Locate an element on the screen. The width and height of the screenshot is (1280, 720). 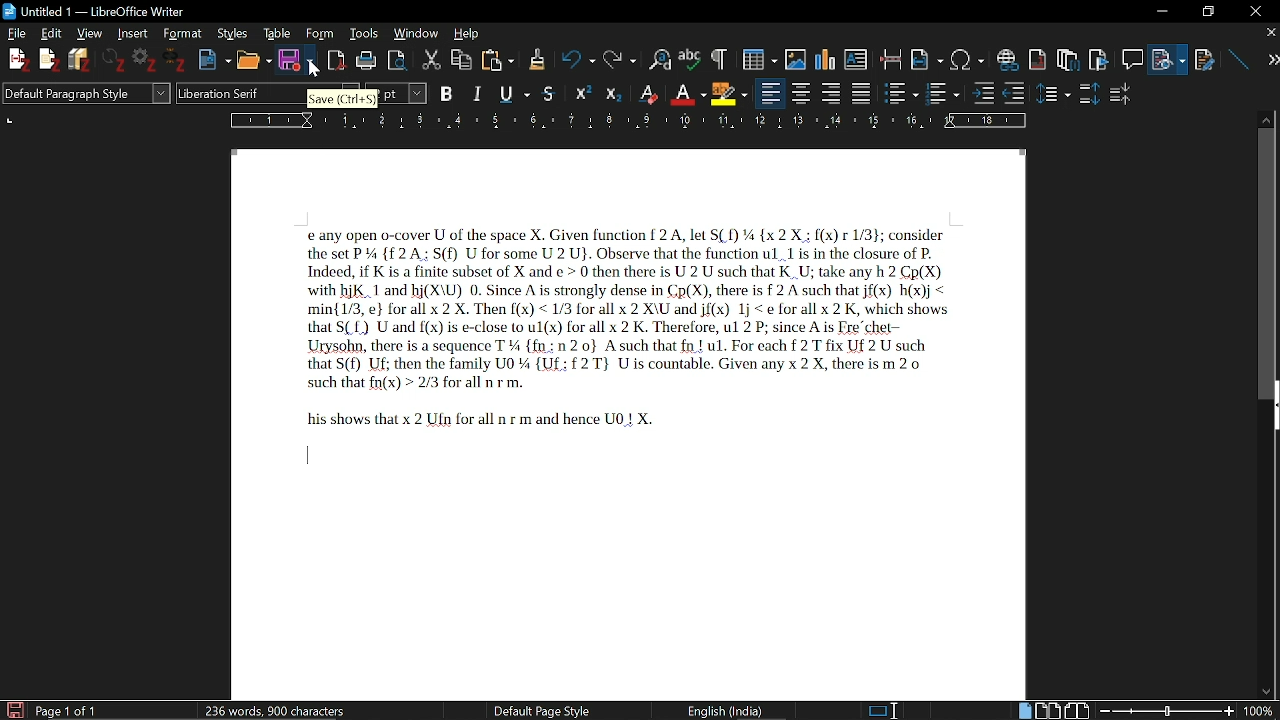
Save Files is located at coordinates (82, 60).